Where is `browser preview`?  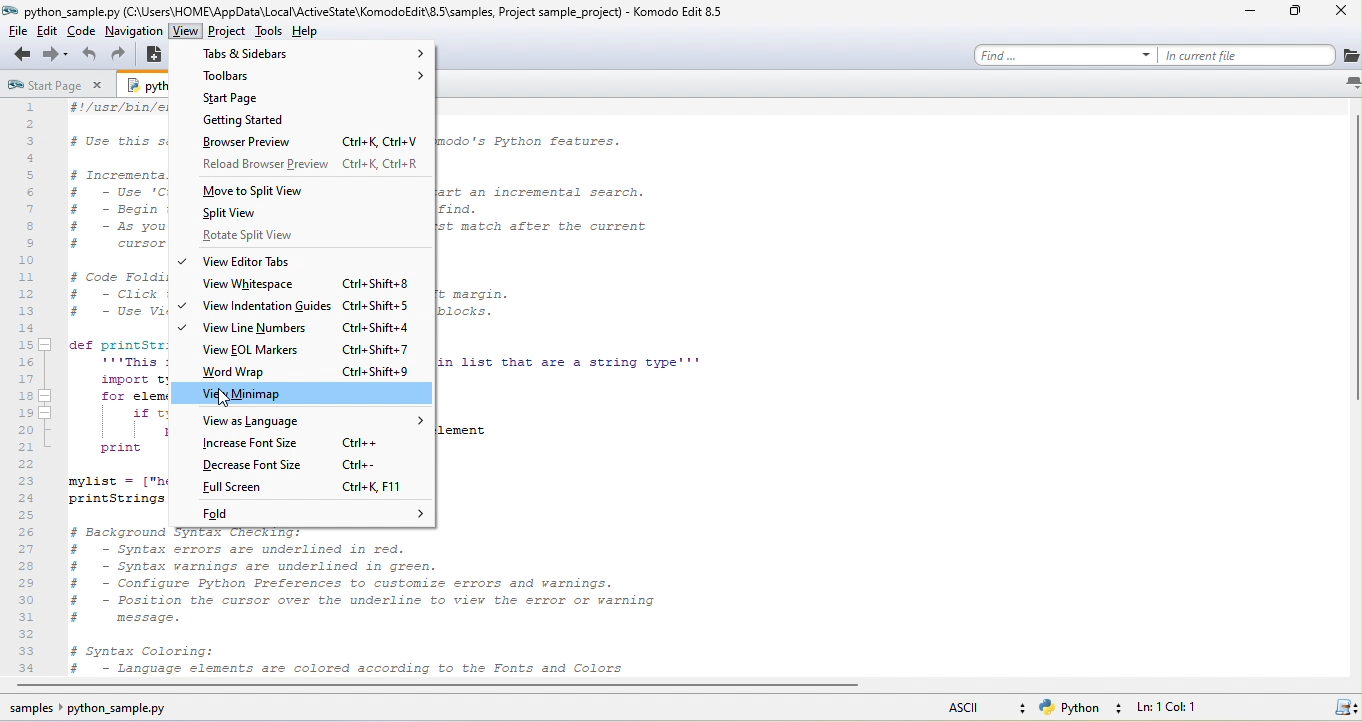
browser preview is located at coordinates (314, 143).